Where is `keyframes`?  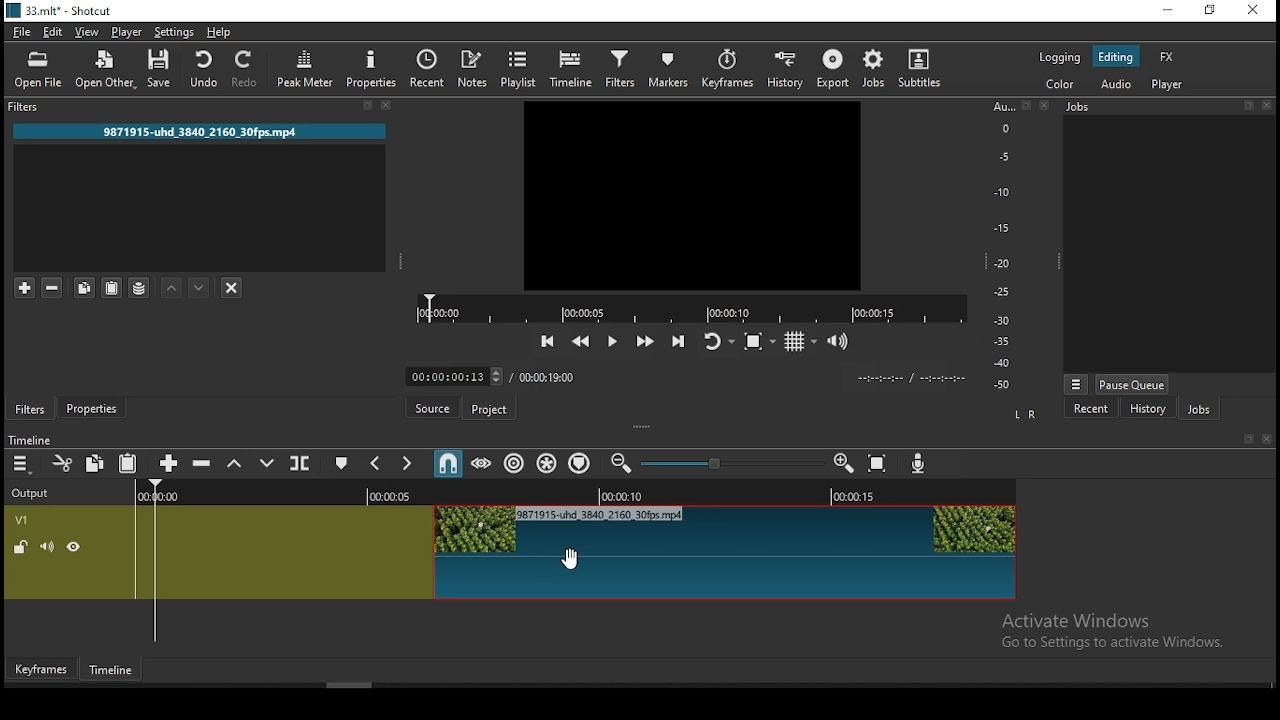
keyframes is located at coordinates (729, 67).